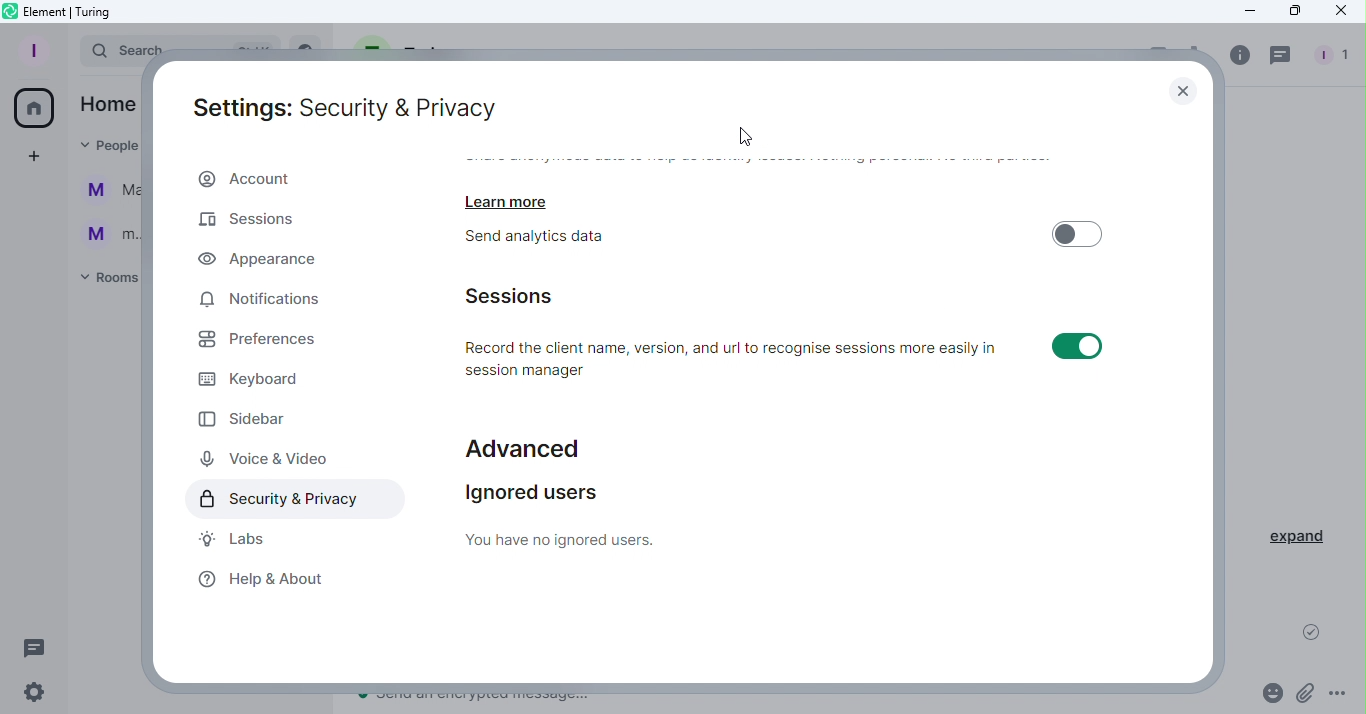 This screenshot has height=714, width=1366. What do you see at coordinates (276, 261) in the screenshot?
I see `Appearance` at bounding box center [276, 261].